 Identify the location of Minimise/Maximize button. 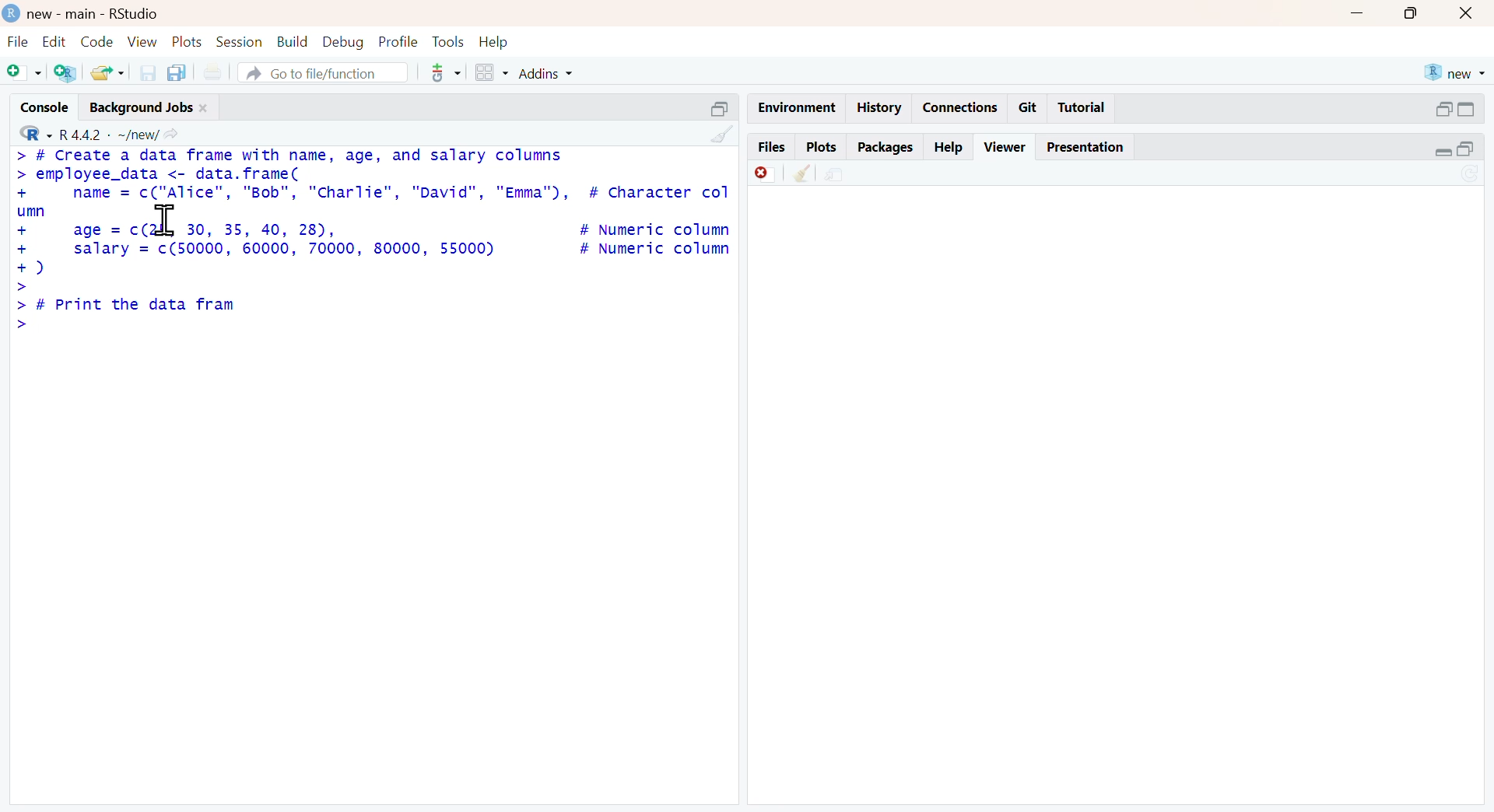
(1457, 109).